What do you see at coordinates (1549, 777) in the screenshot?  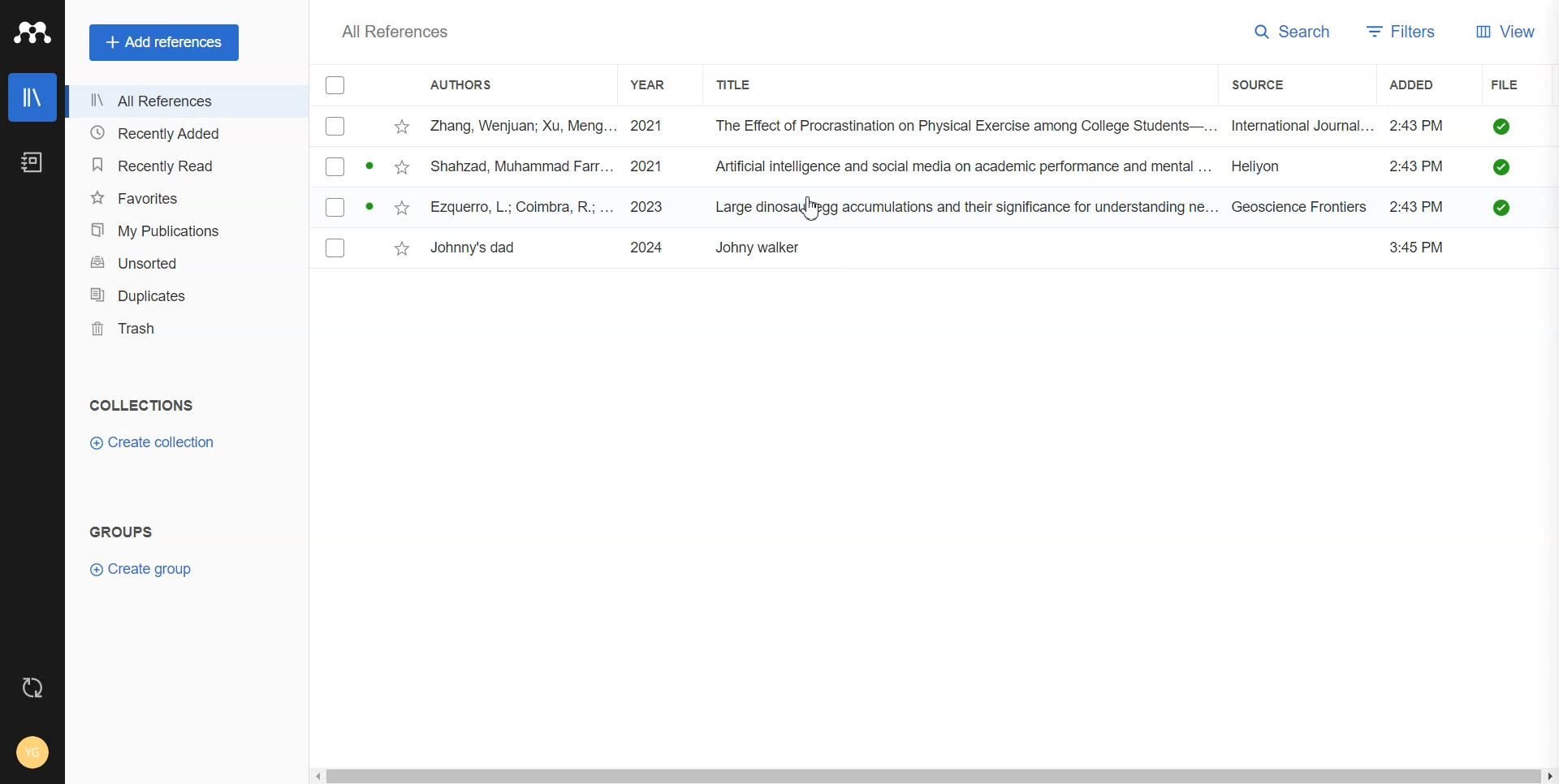 I see `Scroll Right` at bounding box center [1549, 777].